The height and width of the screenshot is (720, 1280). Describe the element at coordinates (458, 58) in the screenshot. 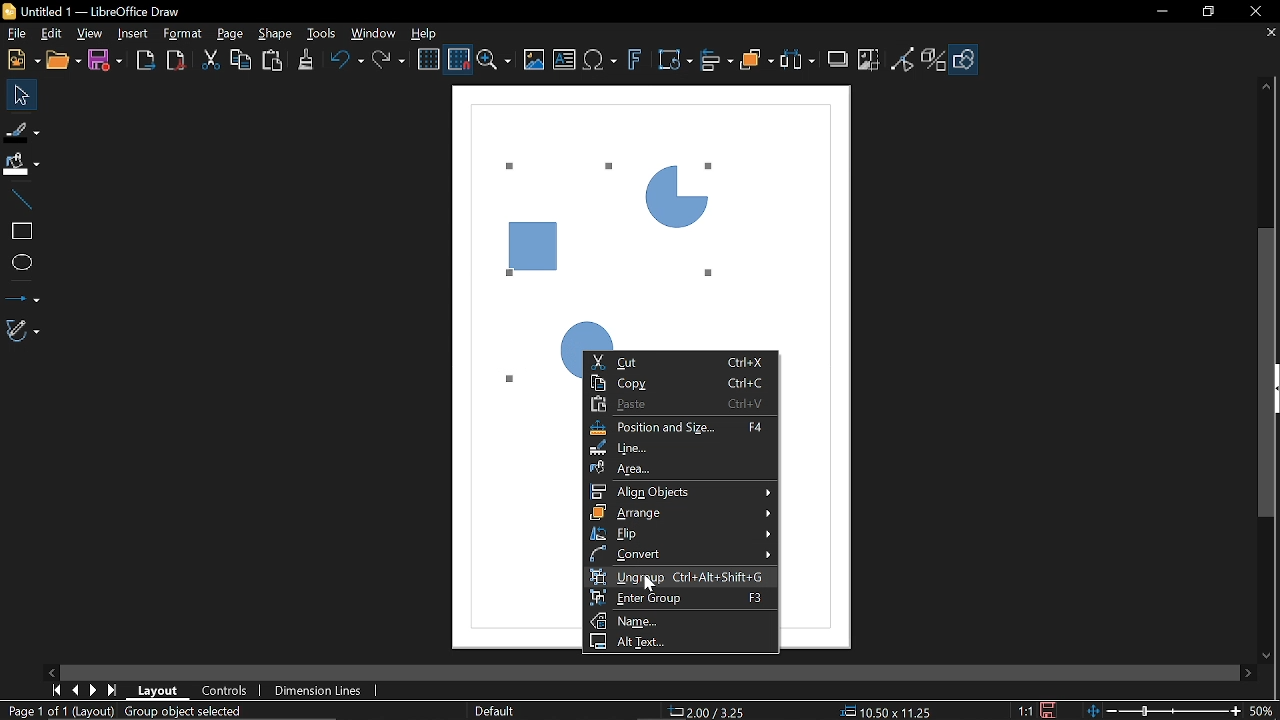

I see `Snap to grid` at that location.